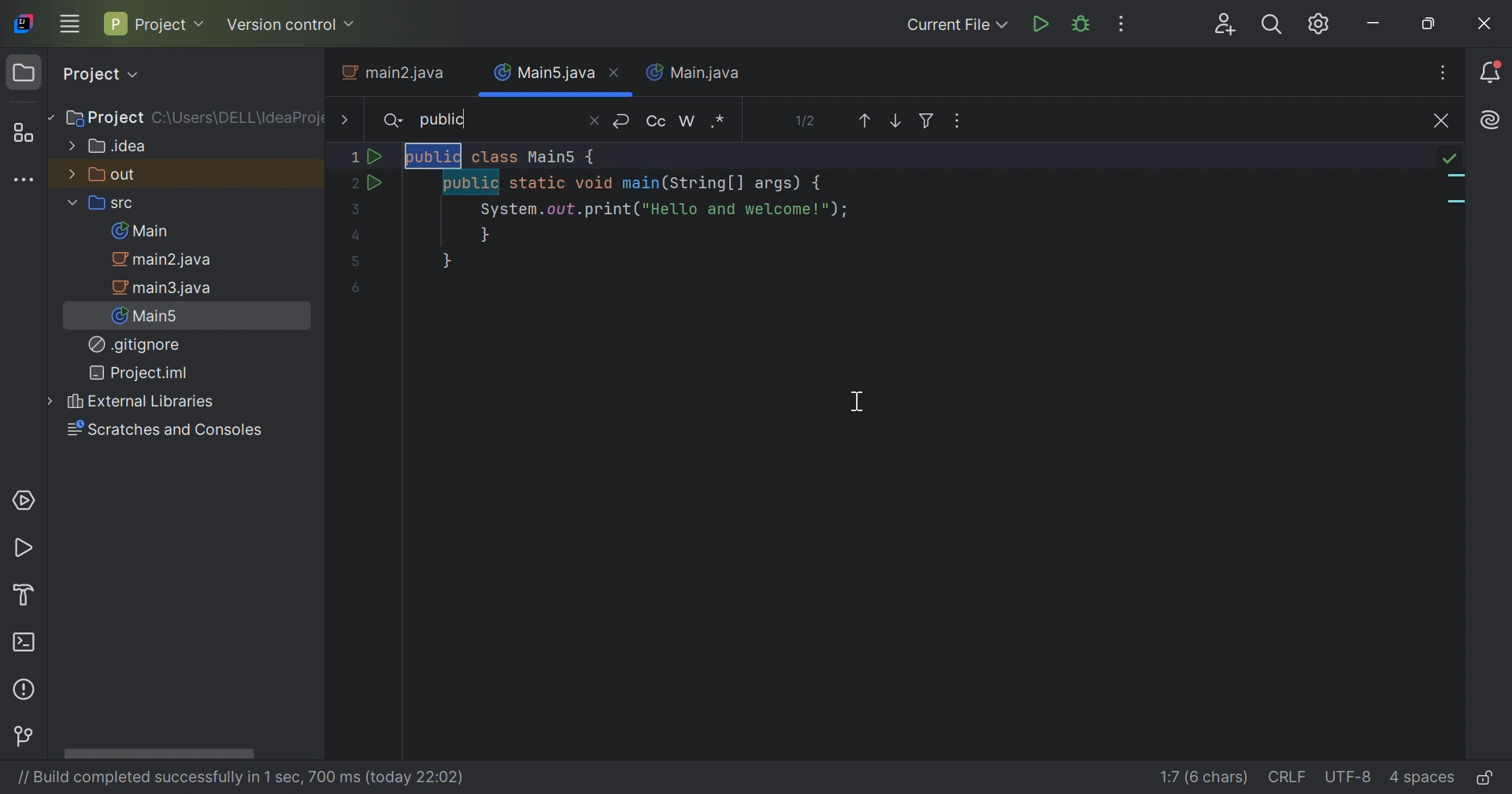 Image resolution: width=1512 pixels, height=794 pixels. I want to click on Recent Files, Tab Actions, and More, so click(1489, 121).